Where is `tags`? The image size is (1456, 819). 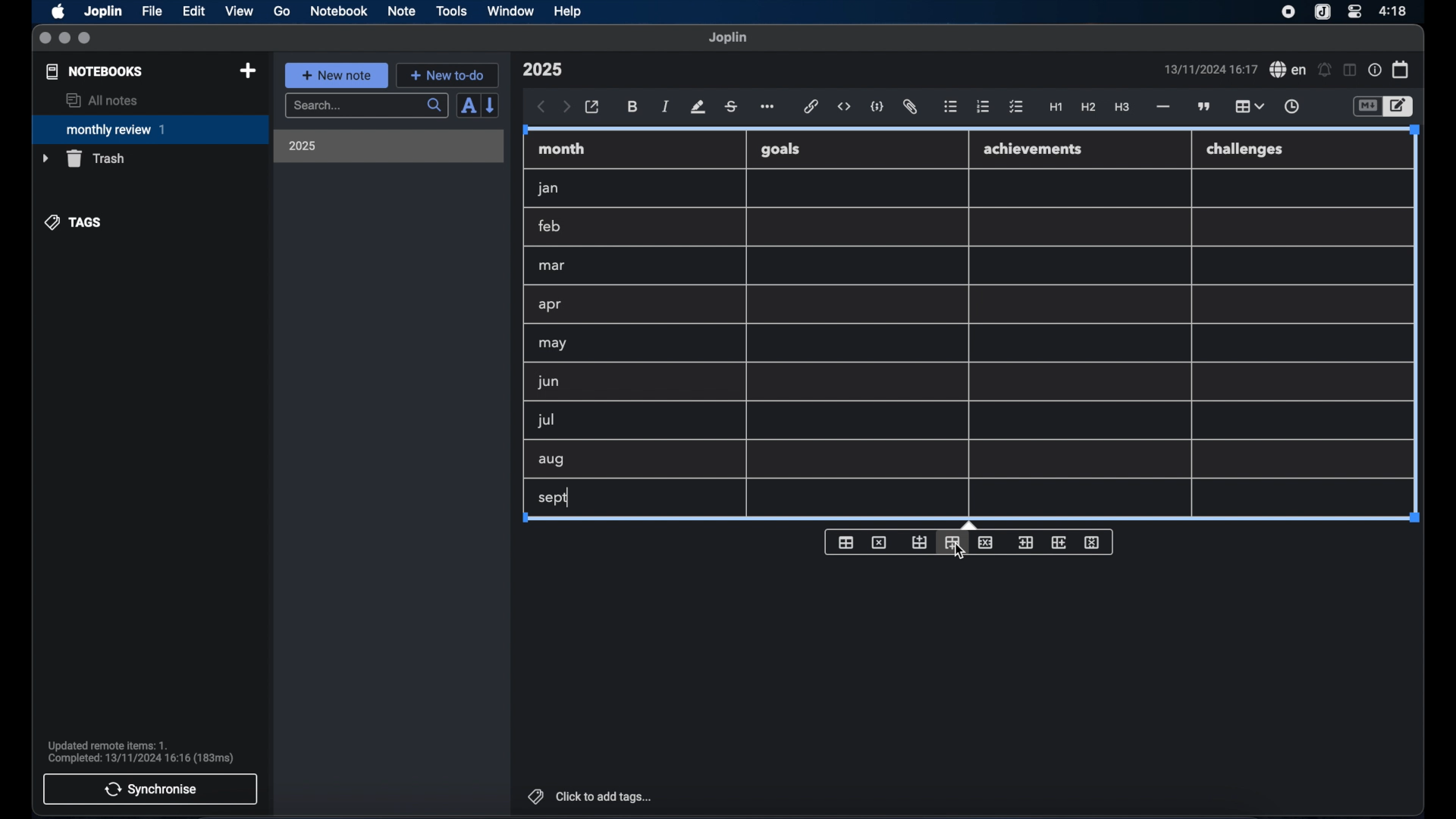 tags is located at coordinates (74, 222).